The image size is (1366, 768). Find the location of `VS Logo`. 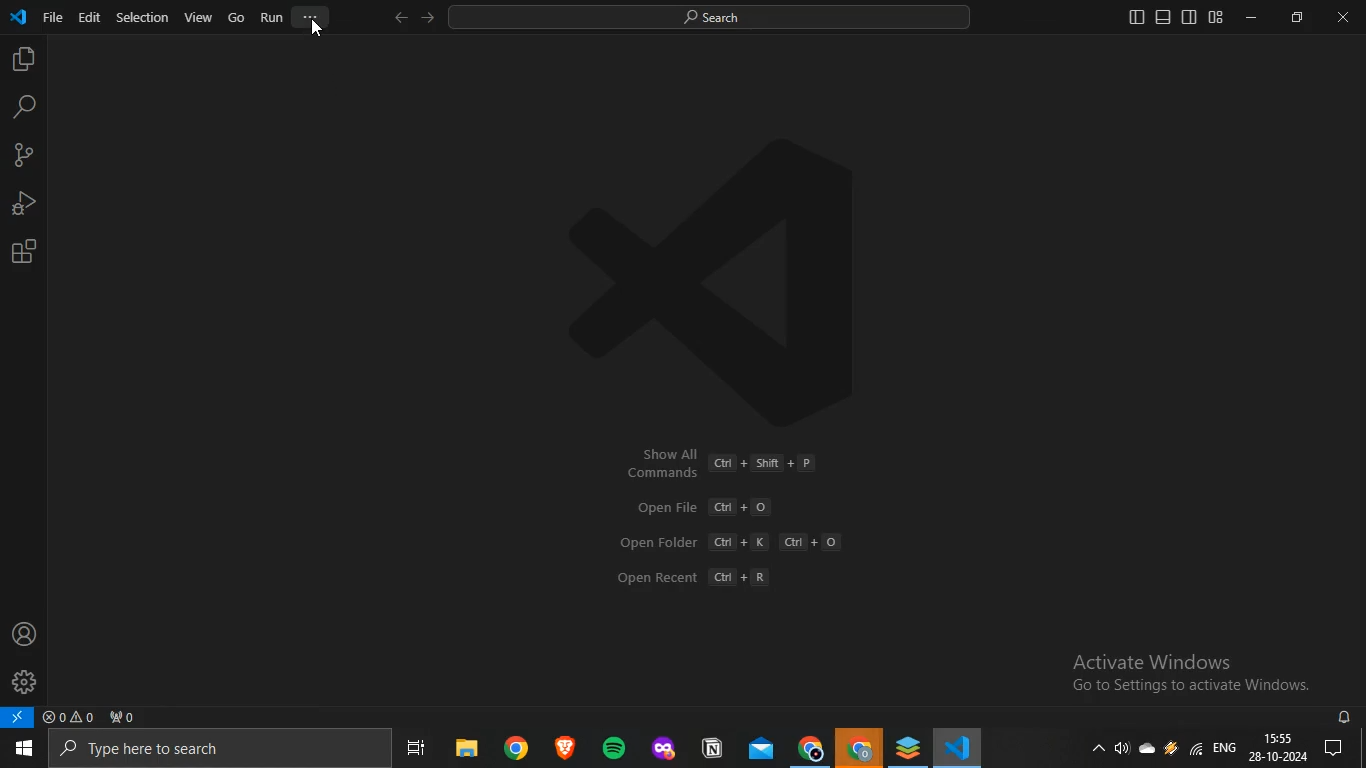

VS Logo is located at coordinates (766, 263).